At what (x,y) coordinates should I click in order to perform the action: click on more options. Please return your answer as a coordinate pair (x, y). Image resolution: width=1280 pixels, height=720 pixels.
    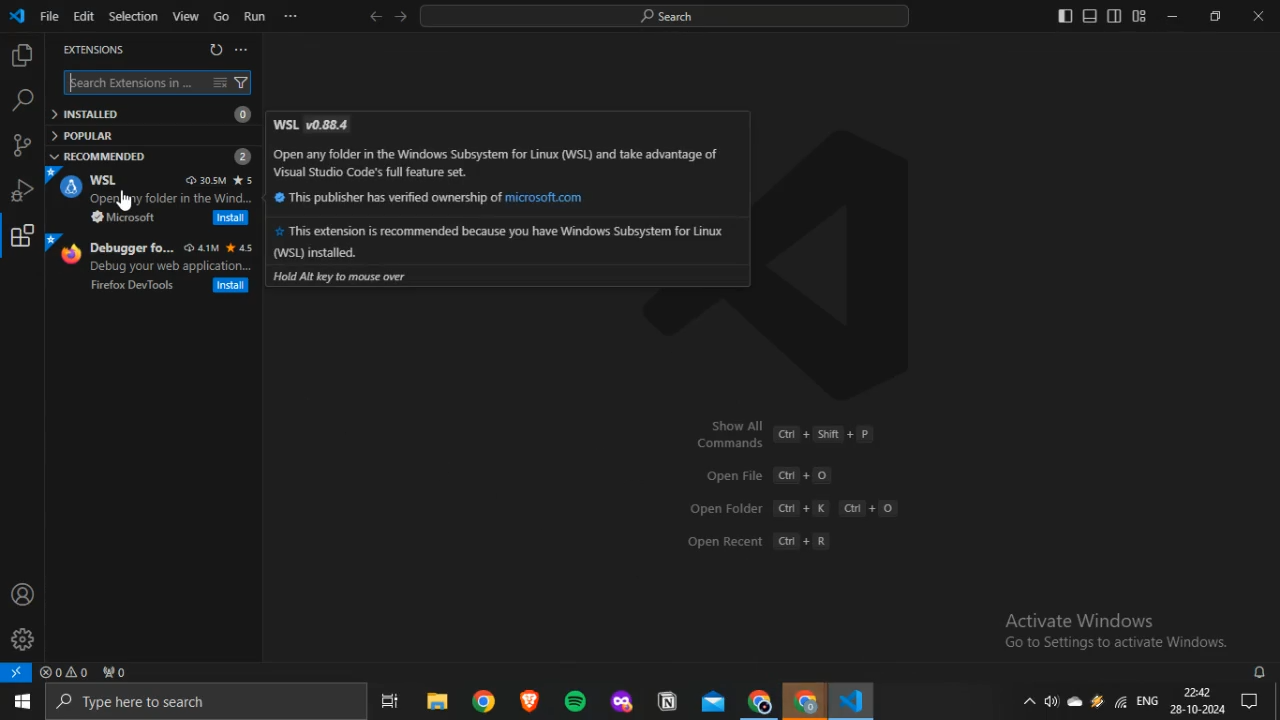
    Looking at the image, I should click on (290, 15).